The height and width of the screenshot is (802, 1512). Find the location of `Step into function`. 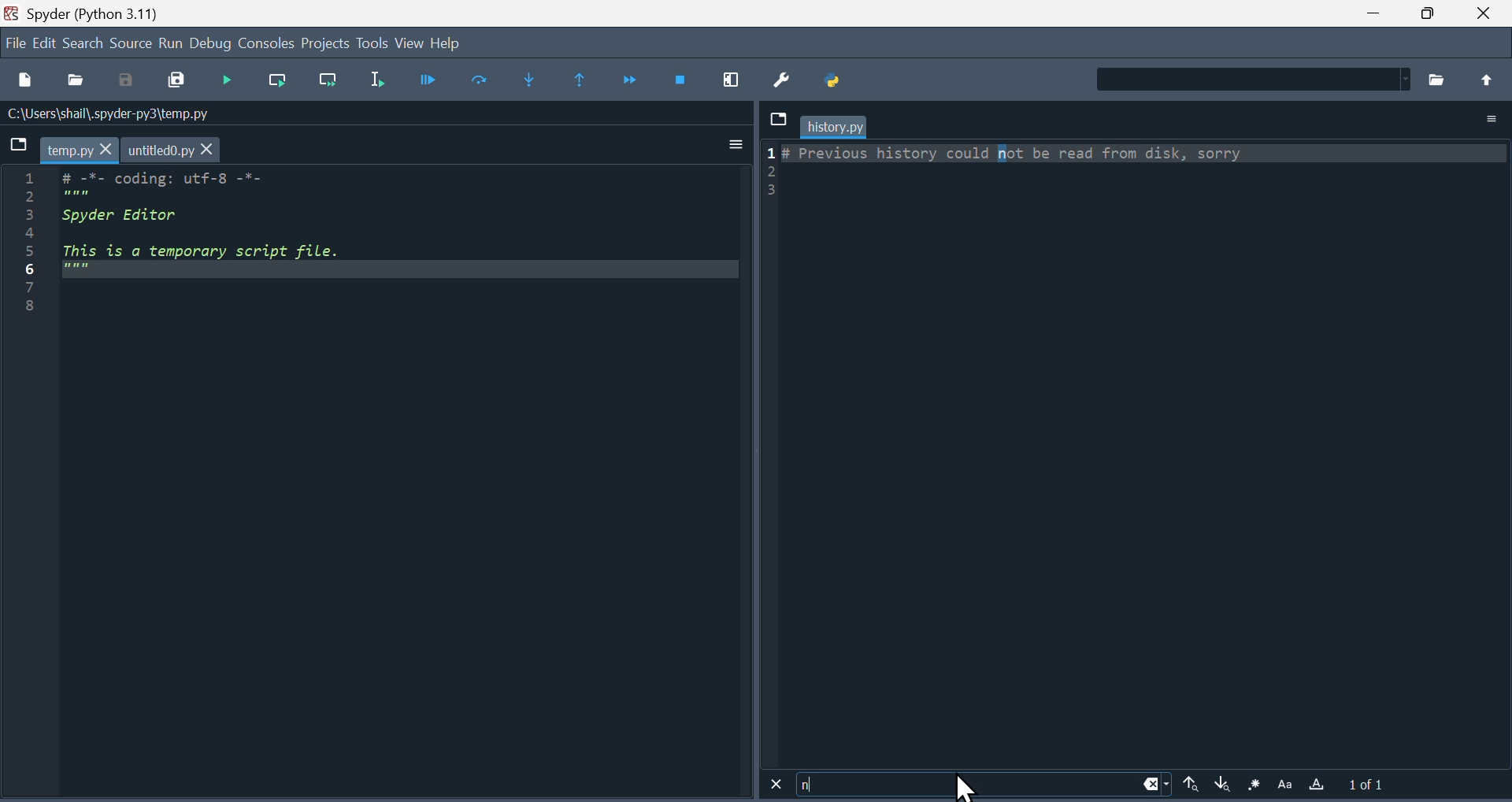

Step into function is located at coordinates (534, 80).